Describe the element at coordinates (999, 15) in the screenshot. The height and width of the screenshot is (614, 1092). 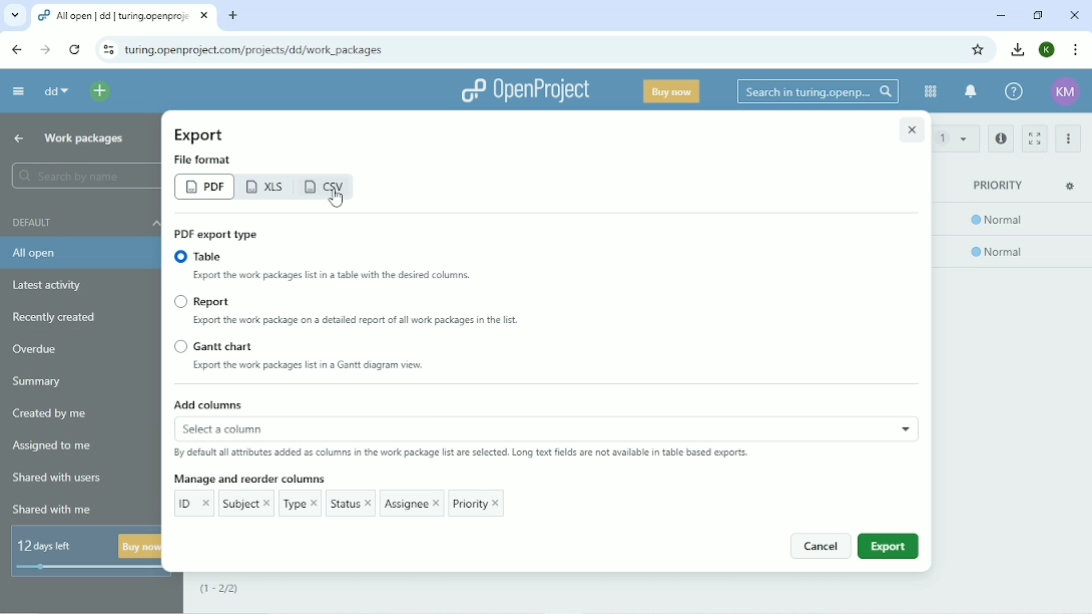
I see `Minimize` at that location.